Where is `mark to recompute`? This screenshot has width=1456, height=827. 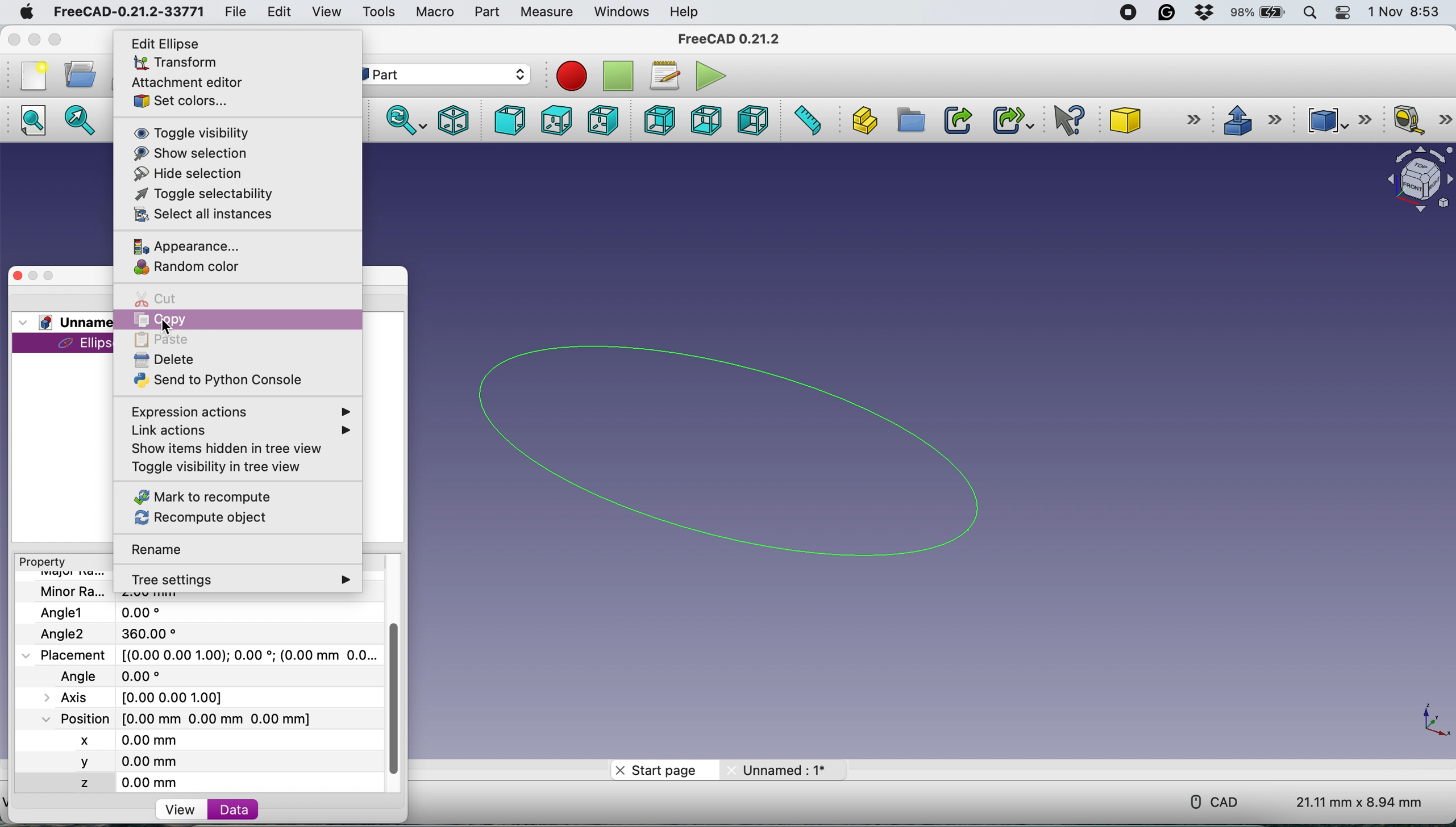 mark to recompute is located at coordinates (207, 496).